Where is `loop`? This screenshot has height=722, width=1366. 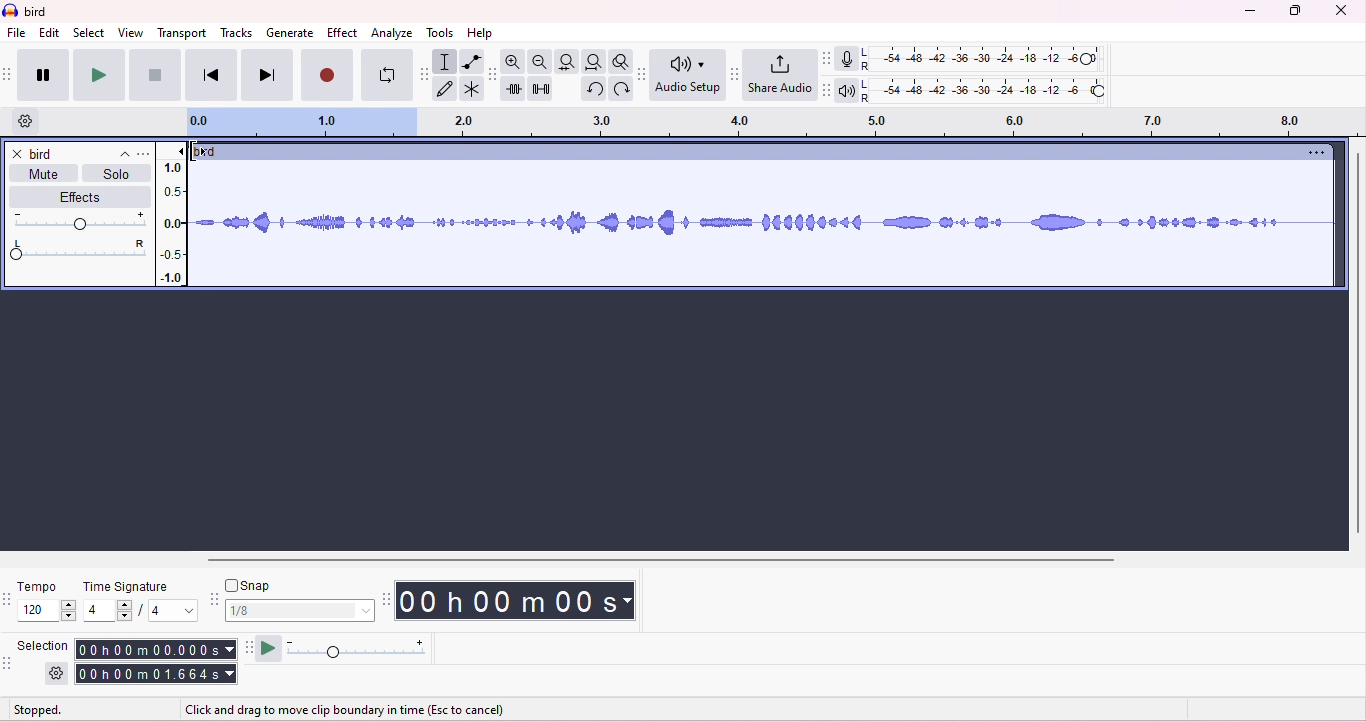 loop is located at coordinates (384, 77).